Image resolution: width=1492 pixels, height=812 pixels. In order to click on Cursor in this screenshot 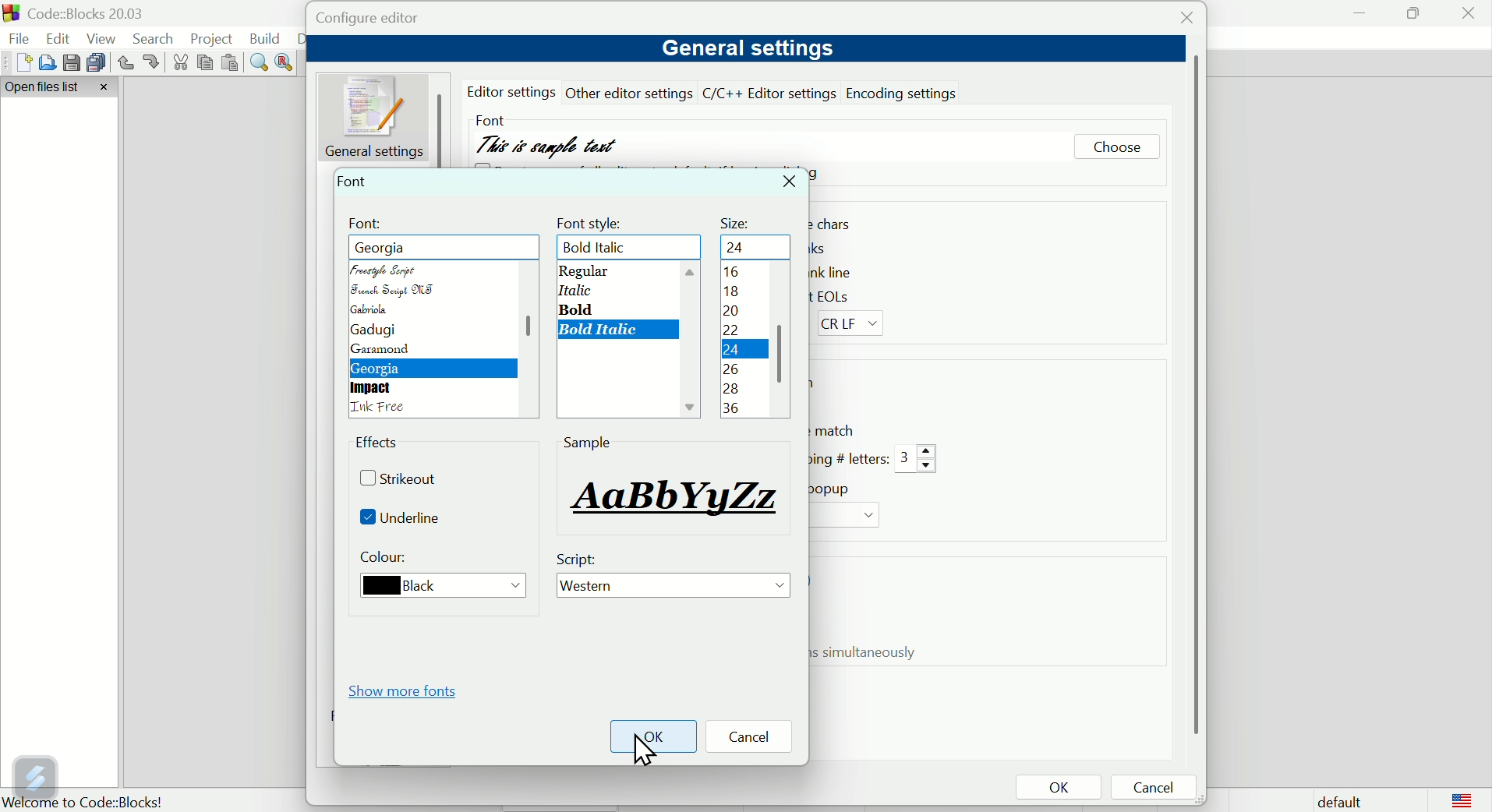, I will do `click(642, 752)`.